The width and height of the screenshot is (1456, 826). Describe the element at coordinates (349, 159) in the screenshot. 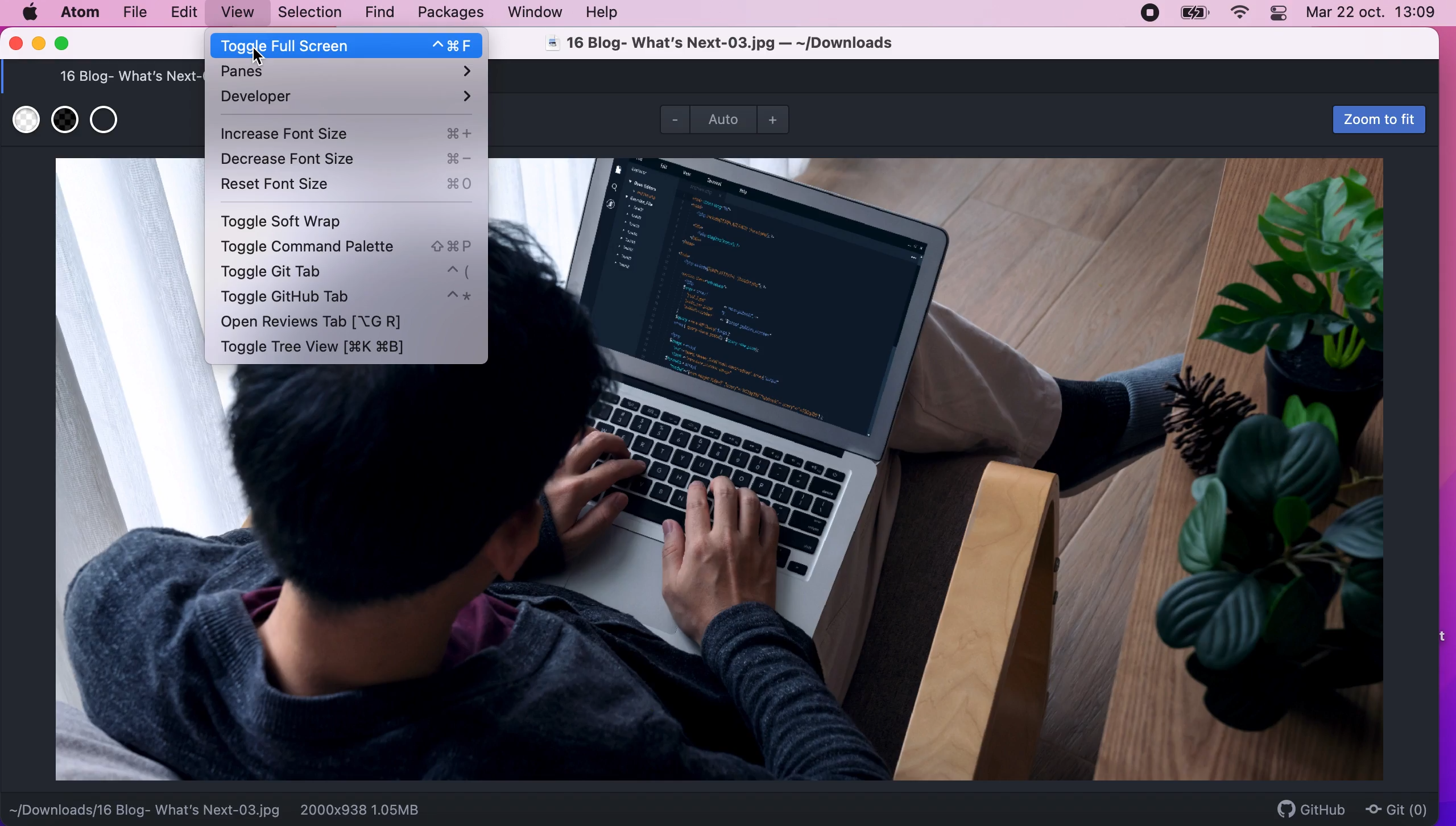

I see `decrease font size` at that location.